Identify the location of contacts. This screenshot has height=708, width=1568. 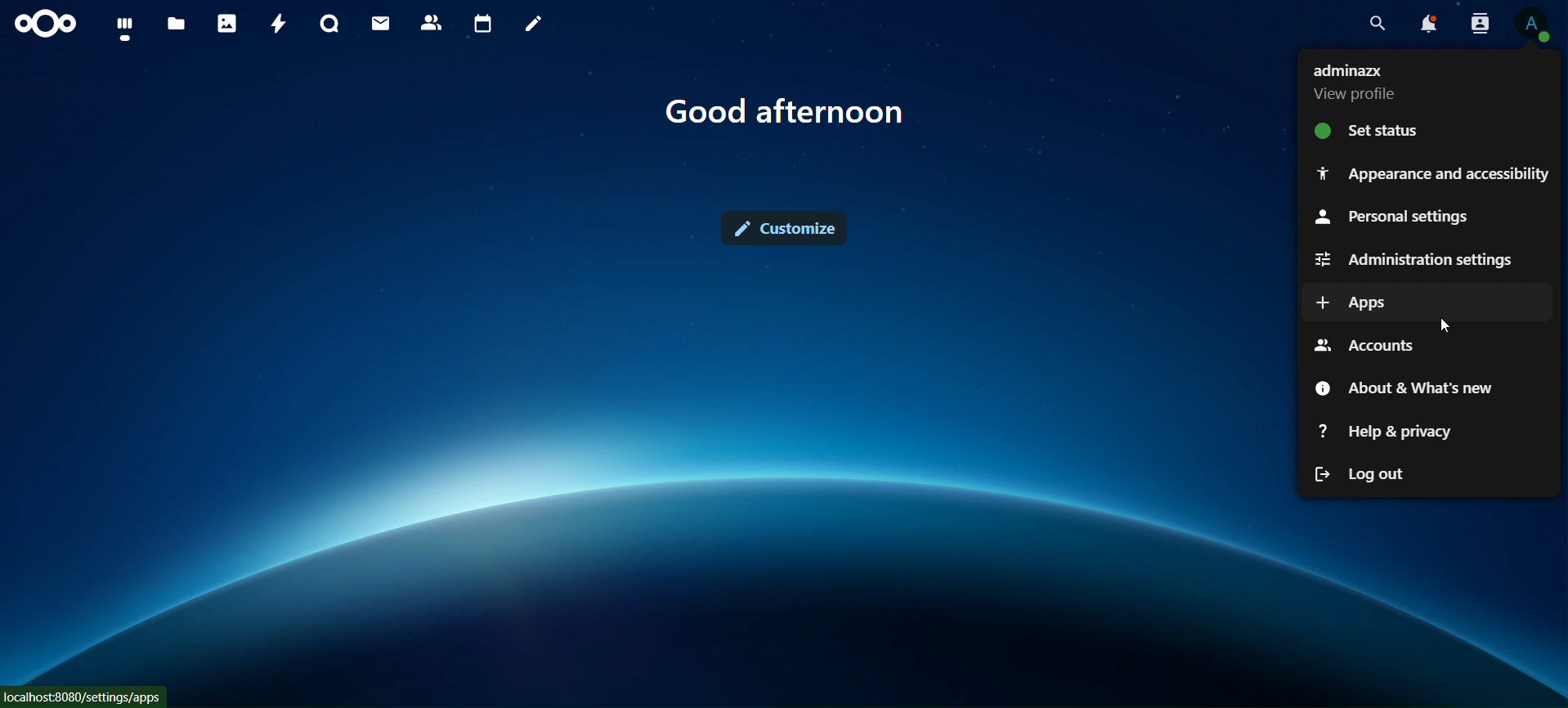
(431, 21).